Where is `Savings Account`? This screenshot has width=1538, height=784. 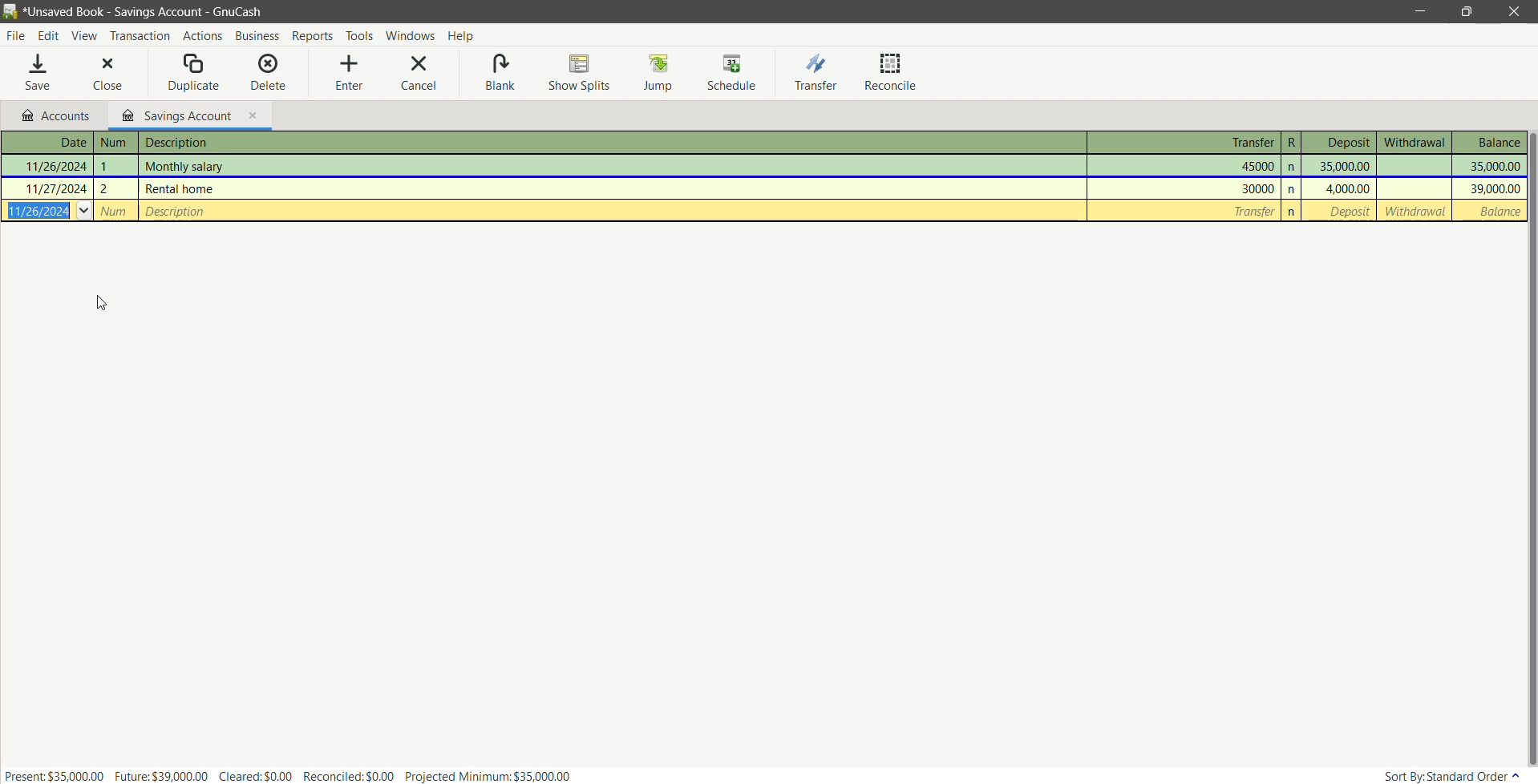 Savings Account is located at coordinates (189, 115).